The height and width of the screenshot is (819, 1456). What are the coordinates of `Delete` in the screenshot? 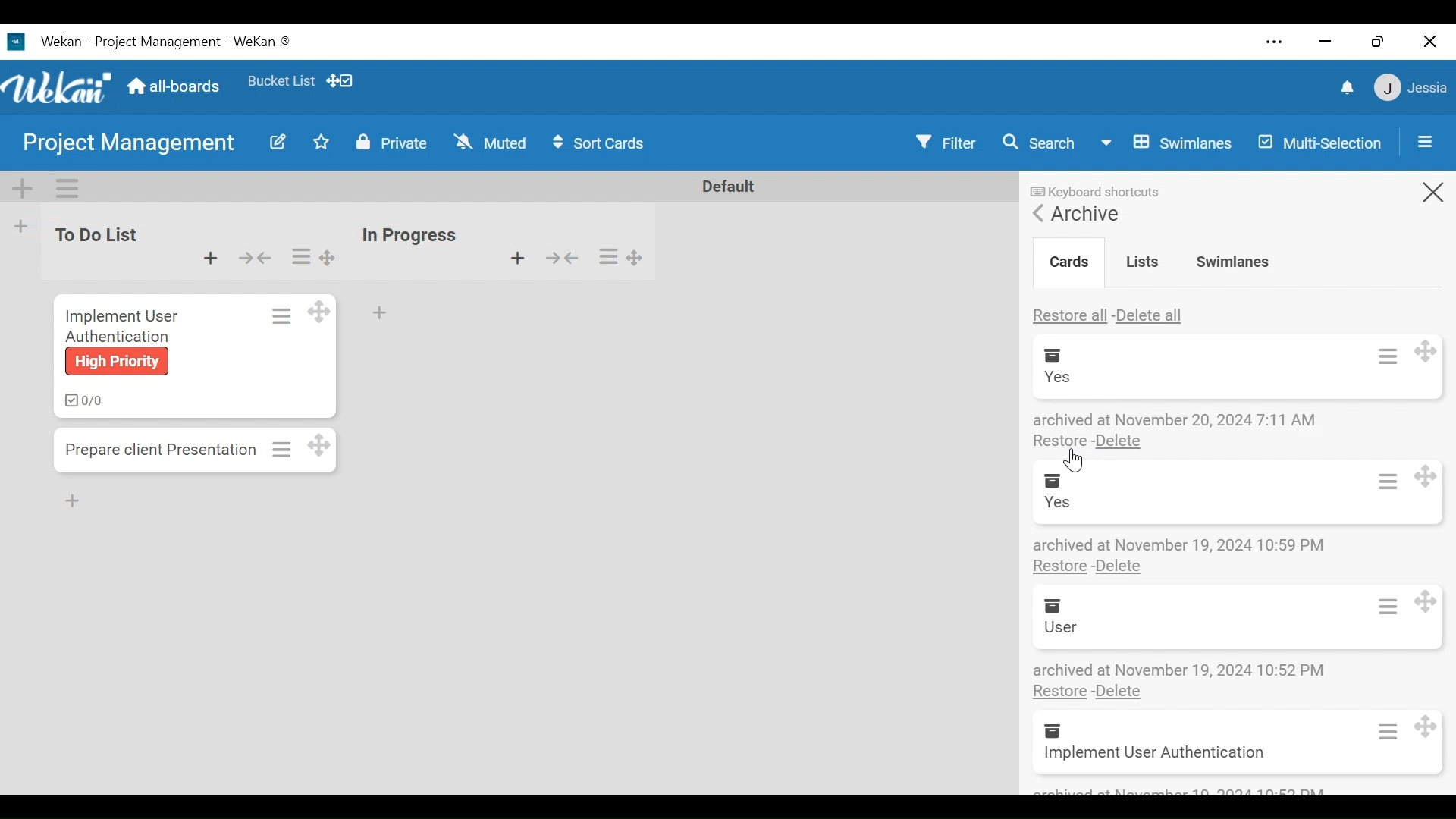 It's located at (1117, 692).